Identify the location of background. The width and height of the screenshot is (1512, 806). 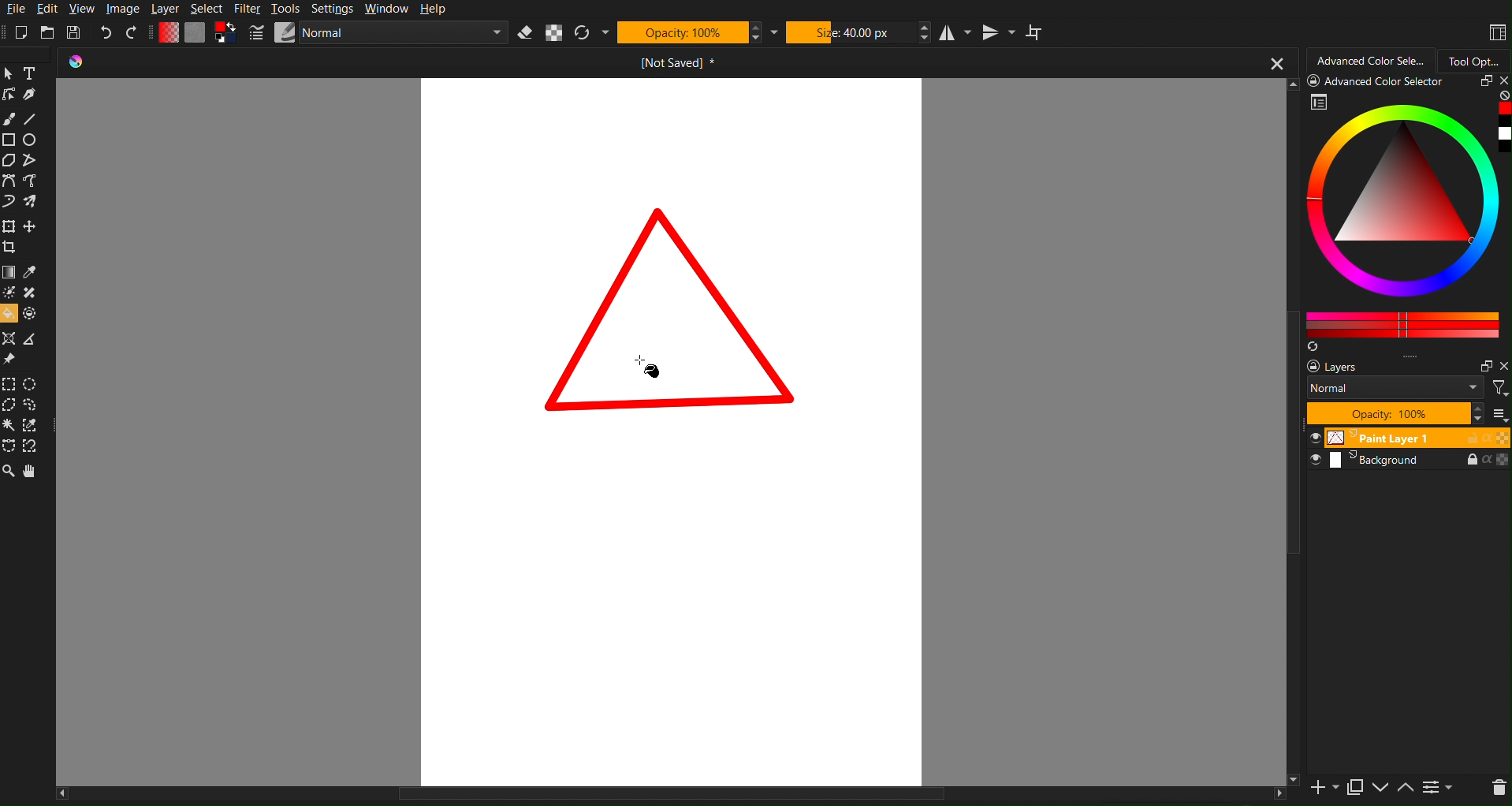
(1410, 461).